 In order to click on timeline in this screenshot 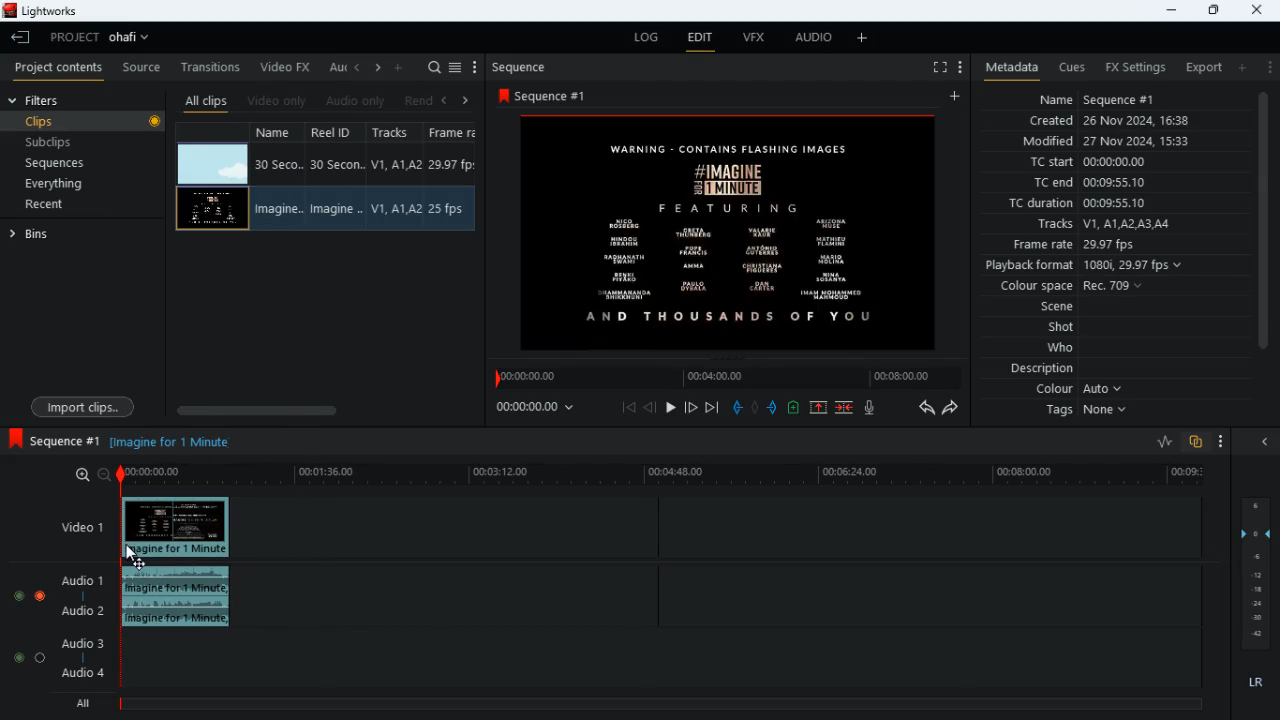, I will do `click(667, 477)`.